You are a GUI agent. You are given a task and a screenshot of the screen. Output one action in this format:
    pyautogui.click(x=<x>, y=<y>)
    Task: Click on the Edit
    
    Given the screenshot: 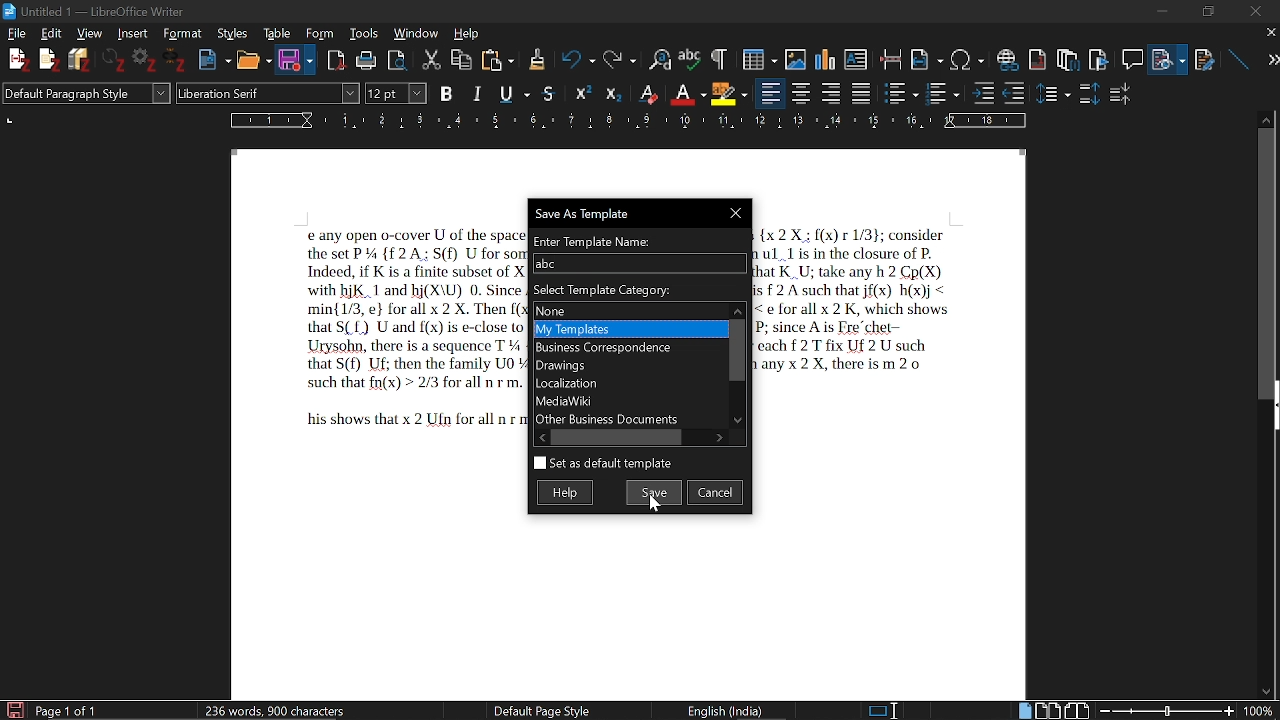 What is the action you would take?
    pyautogui.click(x=54, y=33)
    